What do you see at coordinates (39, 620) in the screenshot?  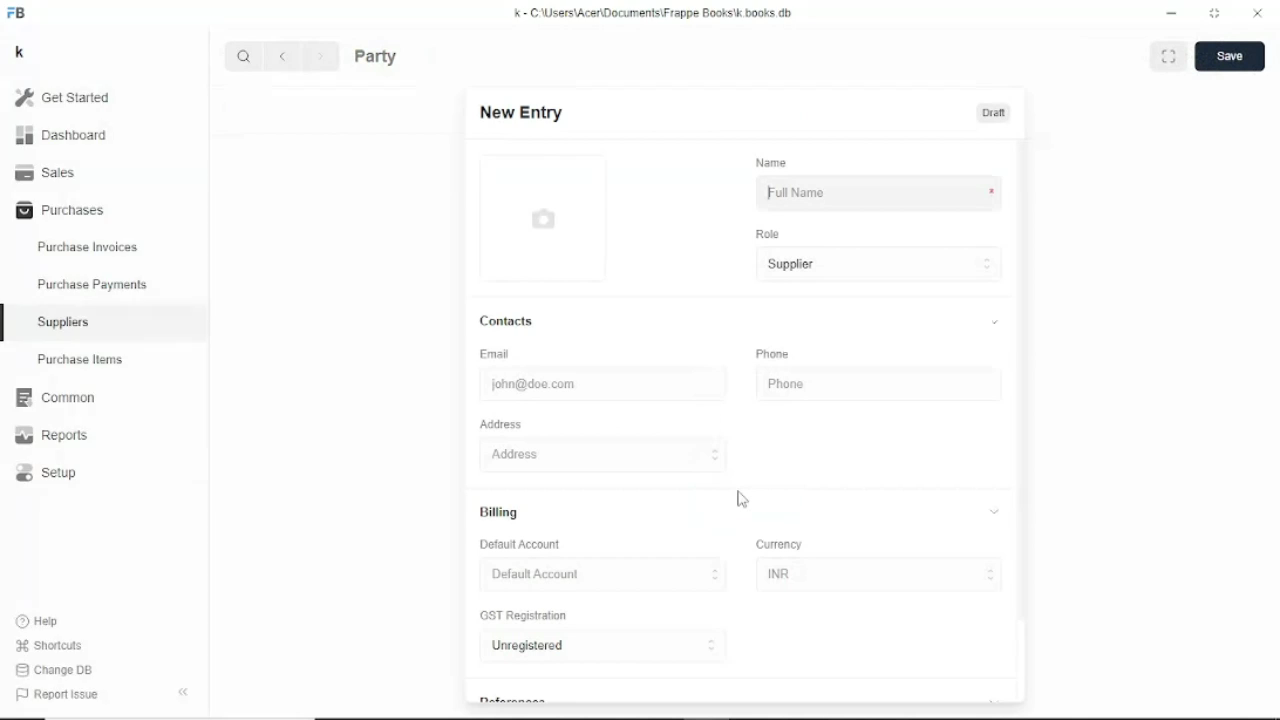 I see `Help` at bounding box center [39, 620].